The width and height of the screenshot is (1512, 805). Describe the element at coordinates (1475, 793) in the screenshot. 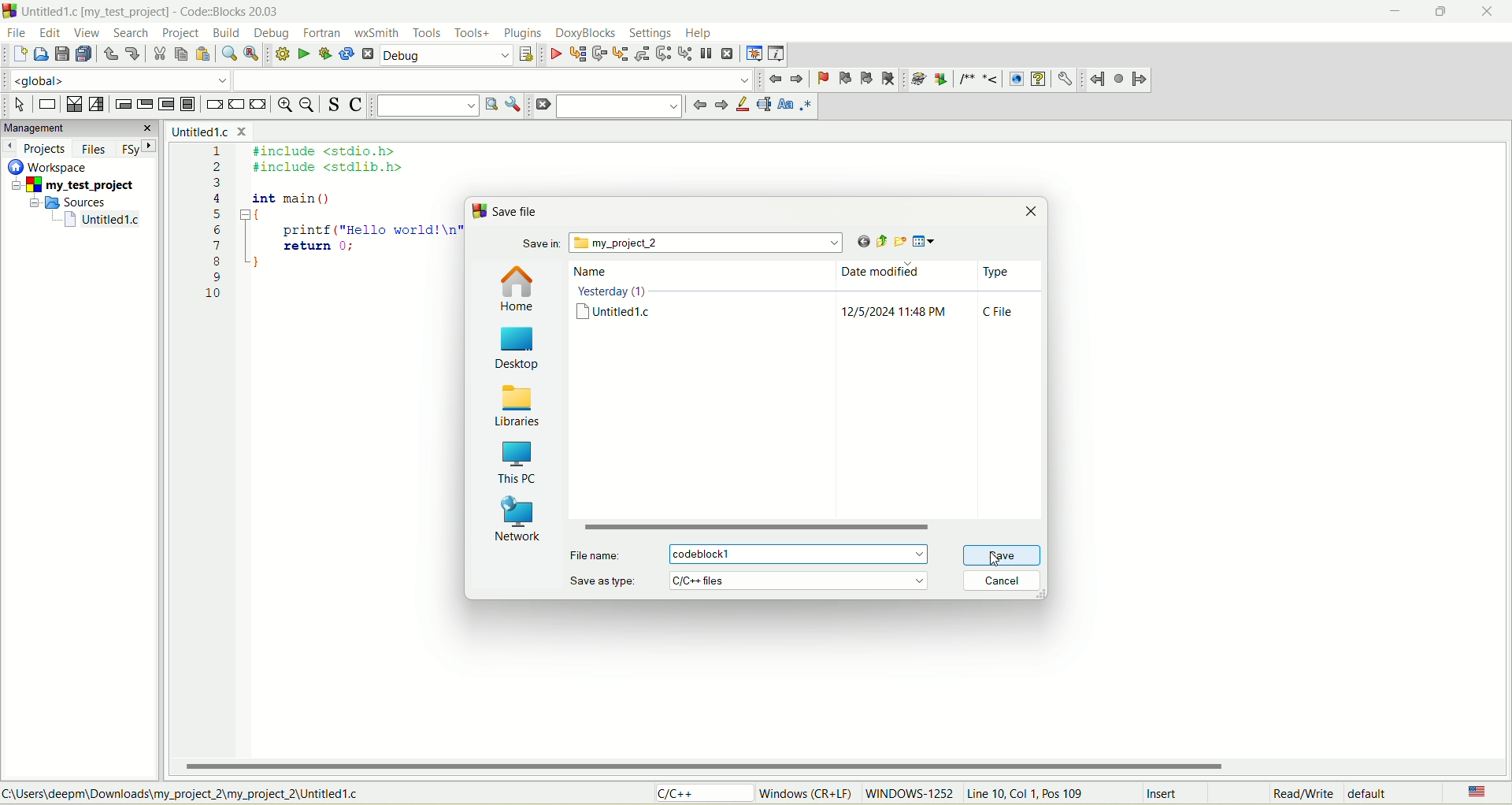

I see `language` at that location.